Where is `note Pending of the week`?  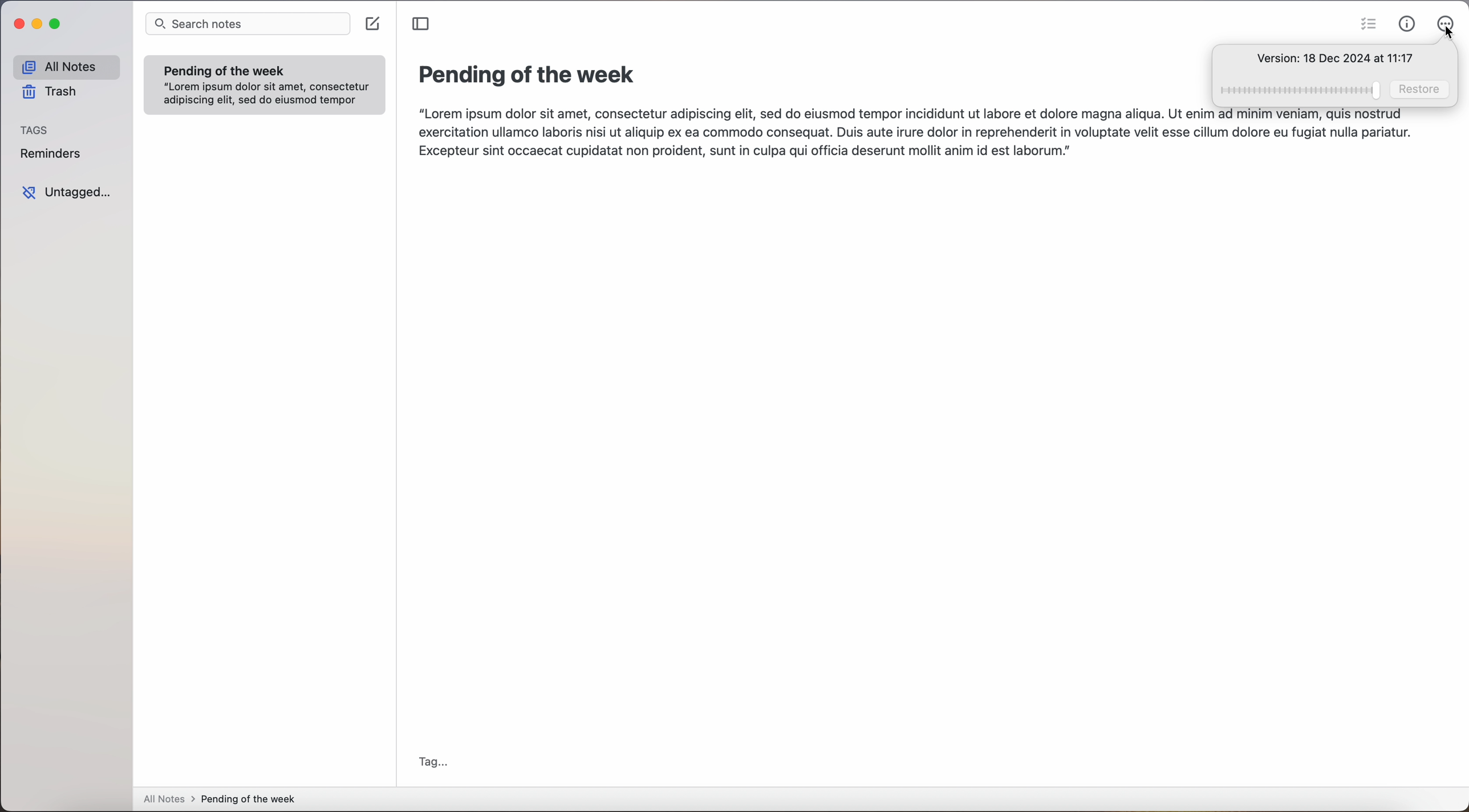 note Pending of the week is located at coordinates (265, 84).